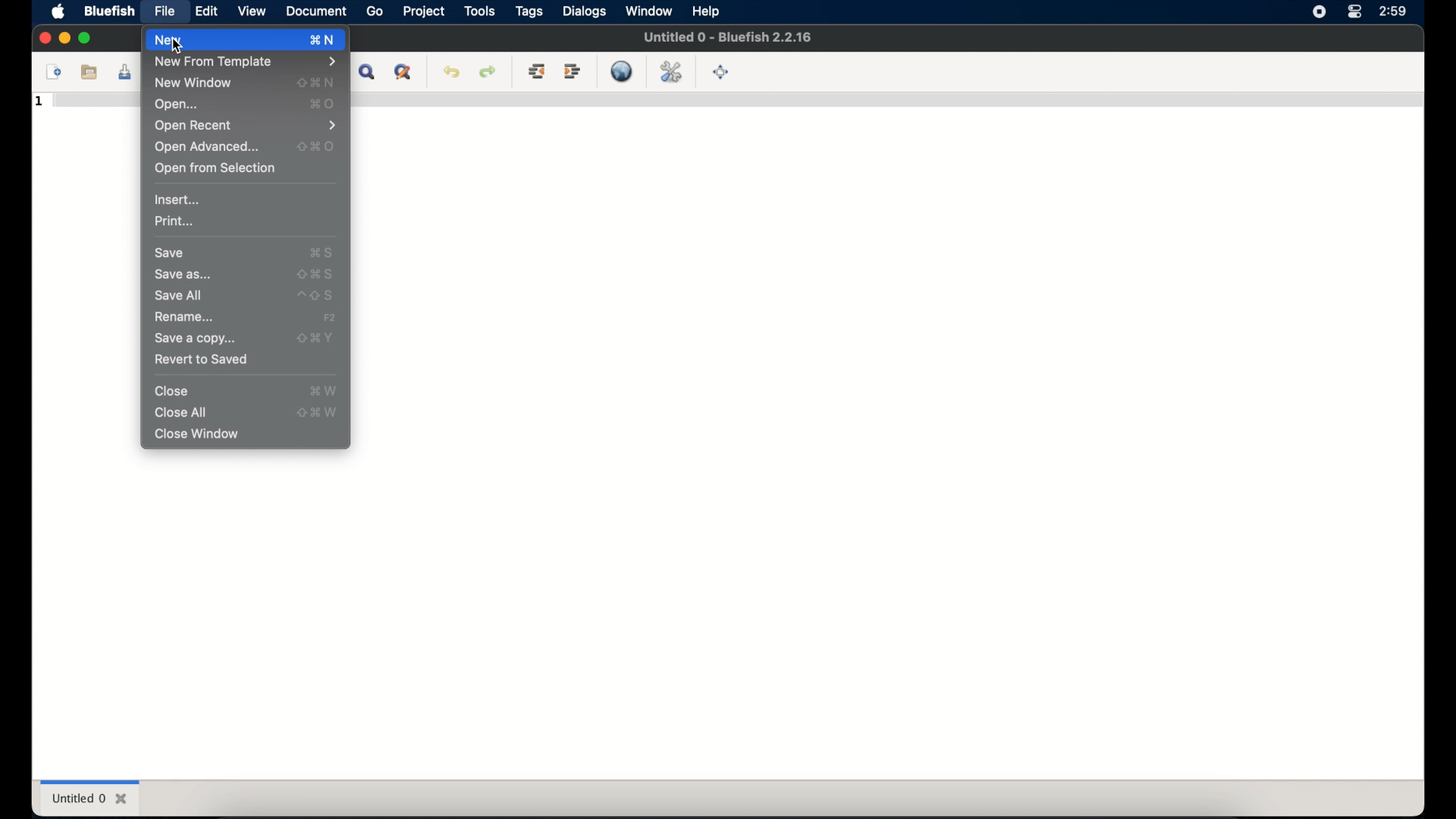 The height and width of the screenshot is (819, 1456). I want to click on full screen, so click(722, 72).